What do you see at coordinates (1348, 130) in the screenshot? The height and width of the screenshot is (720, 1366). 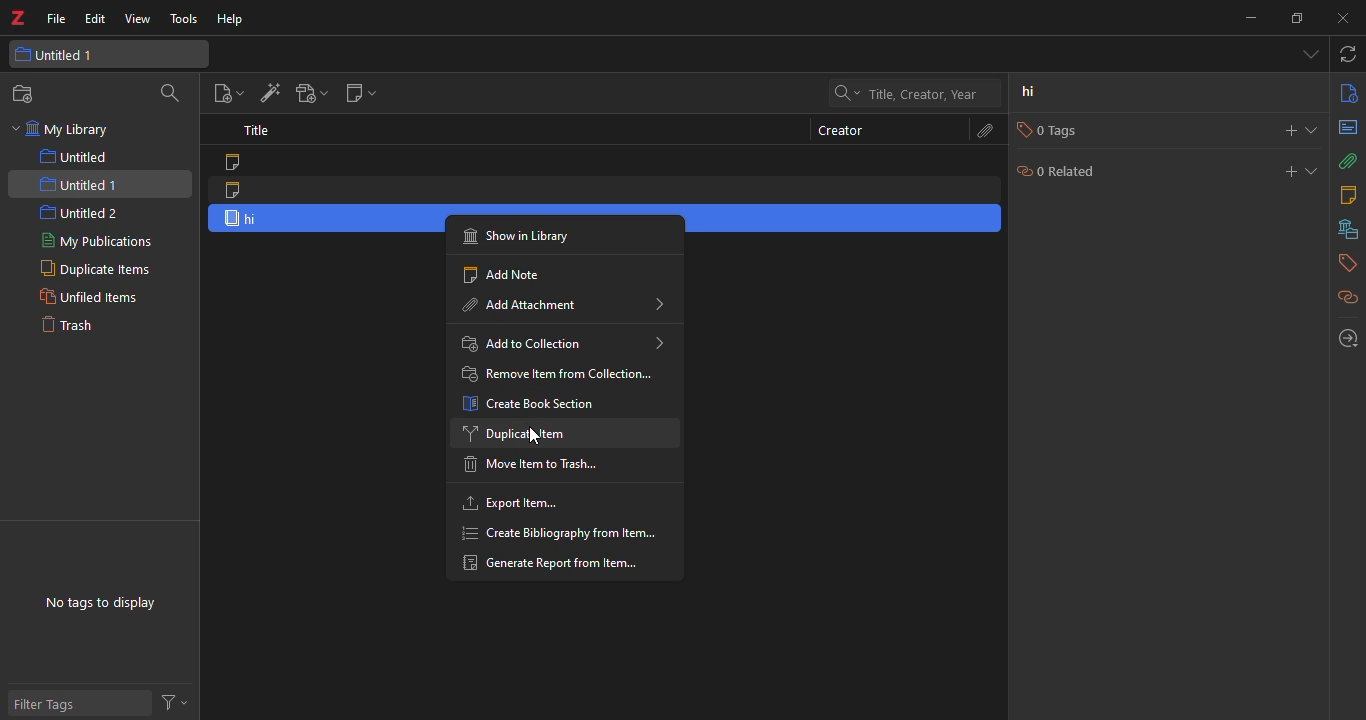 I see `abstract` at bounding box center [1348, 130].